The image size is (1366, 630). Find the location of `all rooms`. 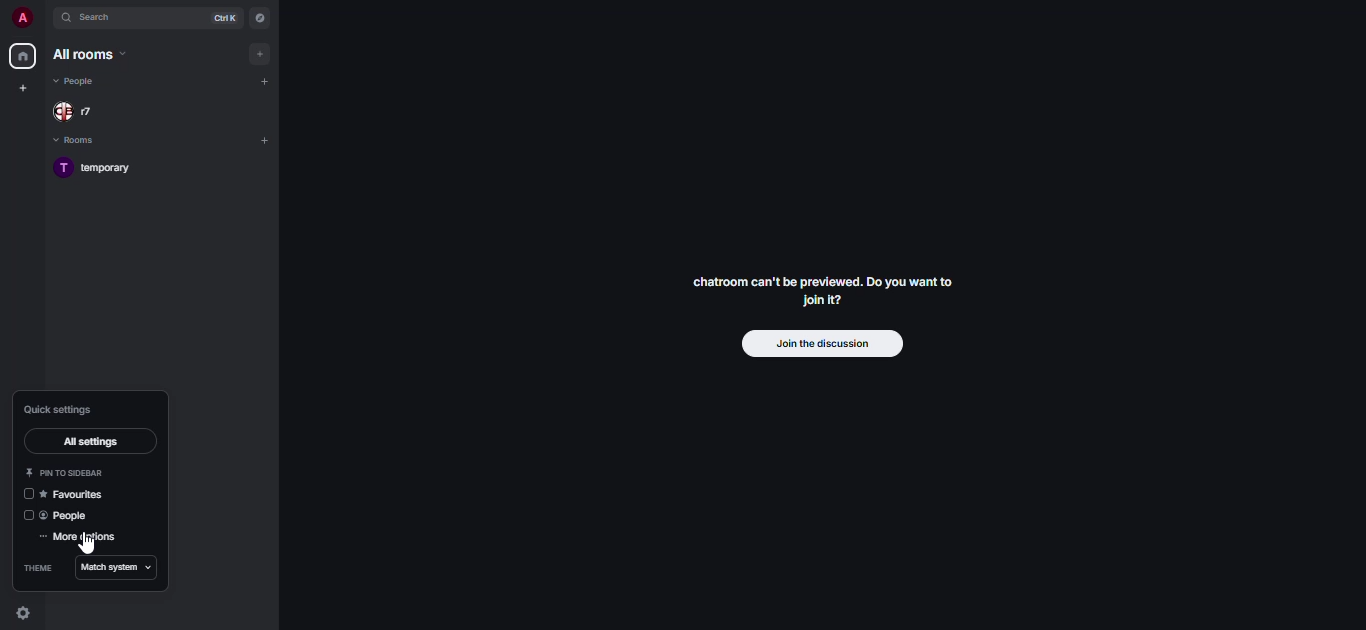

all rooms is located at coordinates (88, 55).